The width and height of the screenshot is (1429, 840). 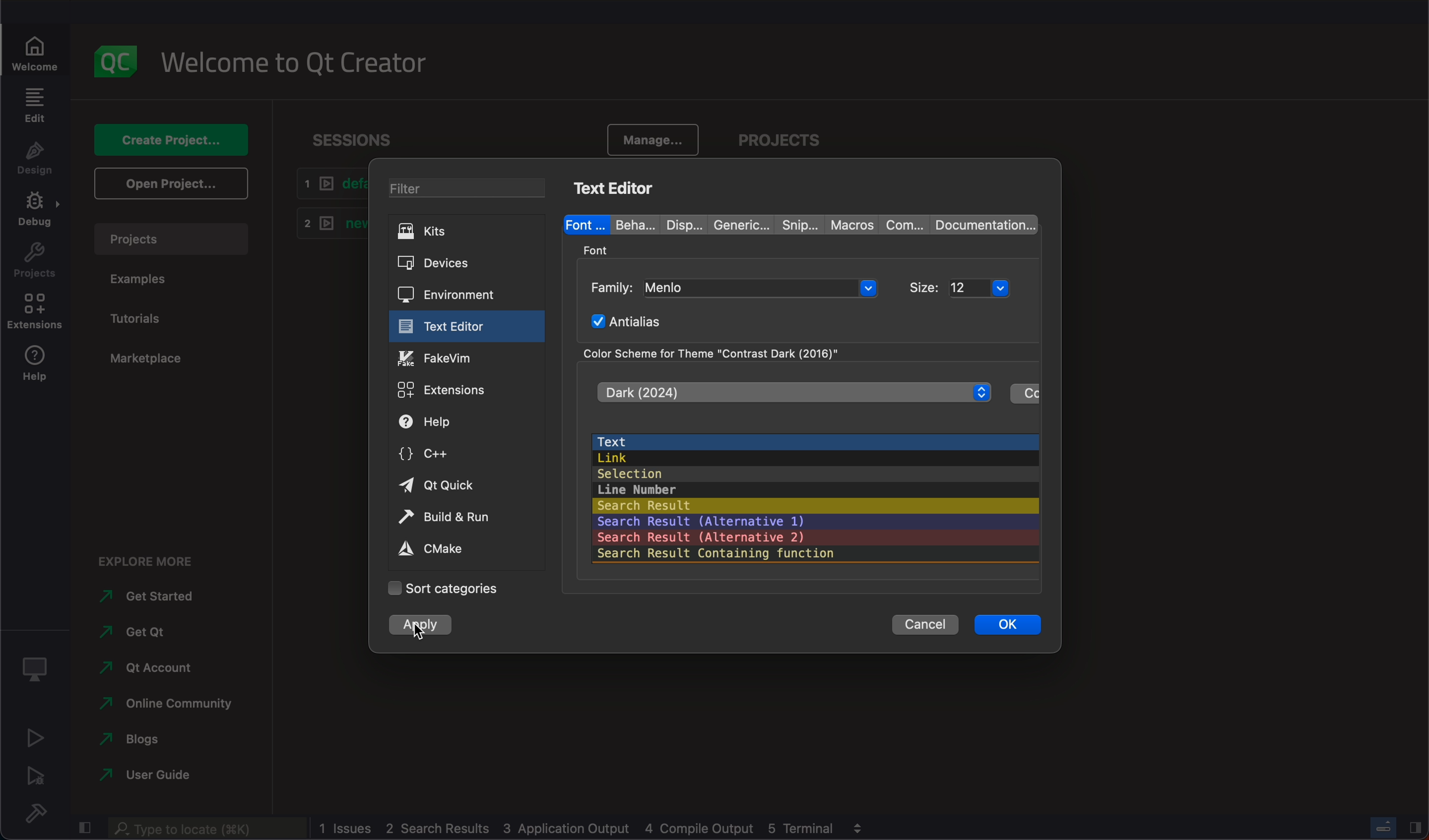 I want to click on com, so click(x=899, y=224).